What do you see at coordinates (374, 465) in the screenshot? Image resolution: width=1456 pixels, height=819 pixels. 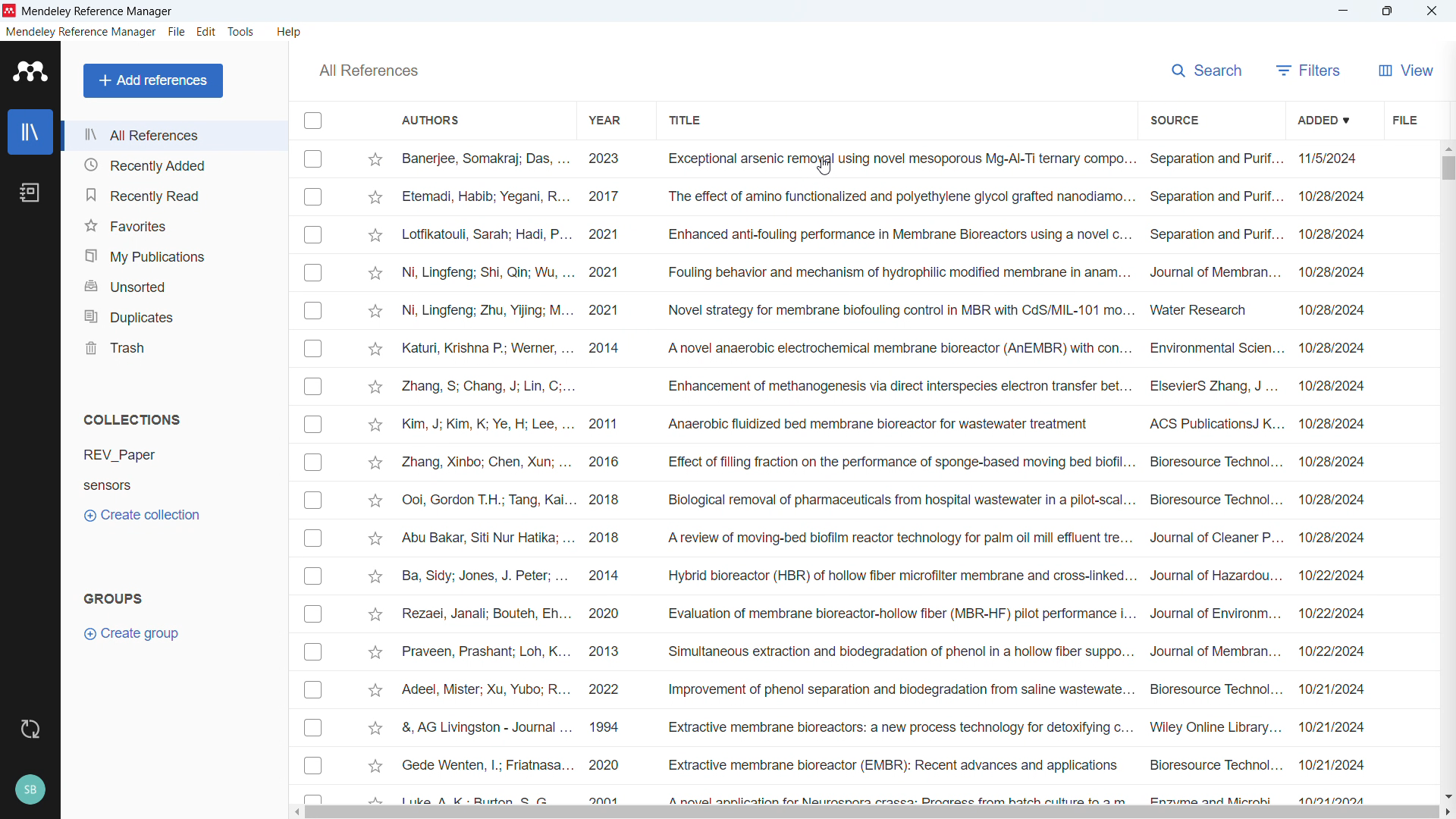 I see `click to starmark individual entries` at bounding box center [374, 465].